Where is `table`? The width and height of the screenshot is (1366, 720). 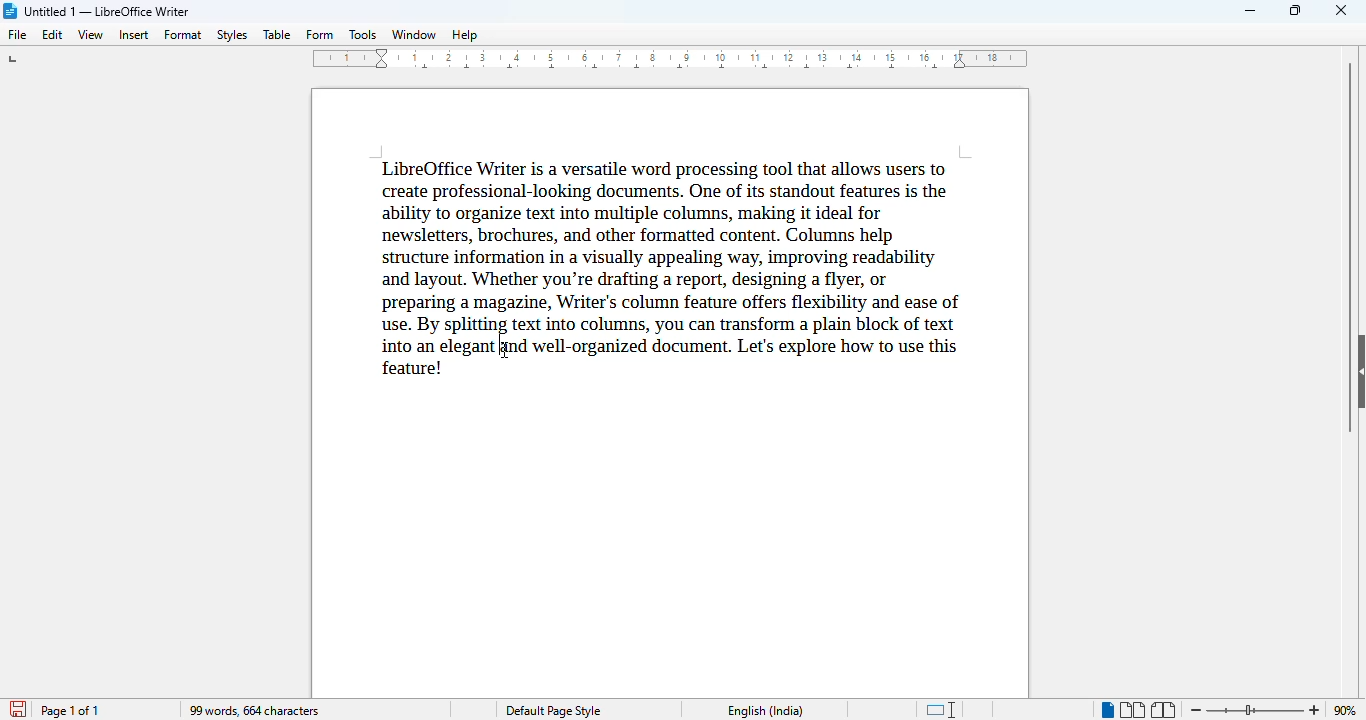
table is located at coordinates (277, 34).